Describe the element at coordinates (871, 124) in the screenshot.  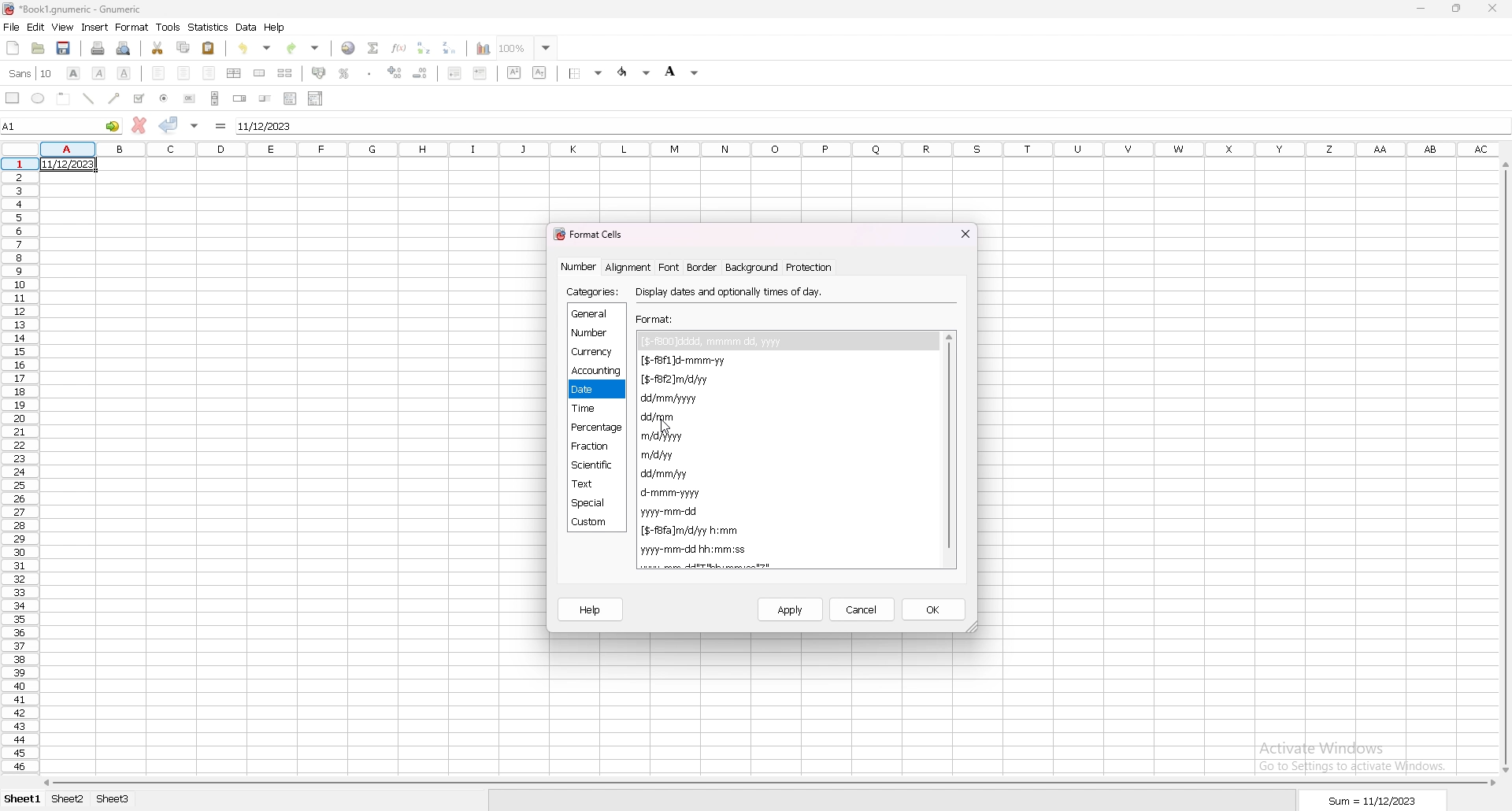
I see `selected cell input` at that location.